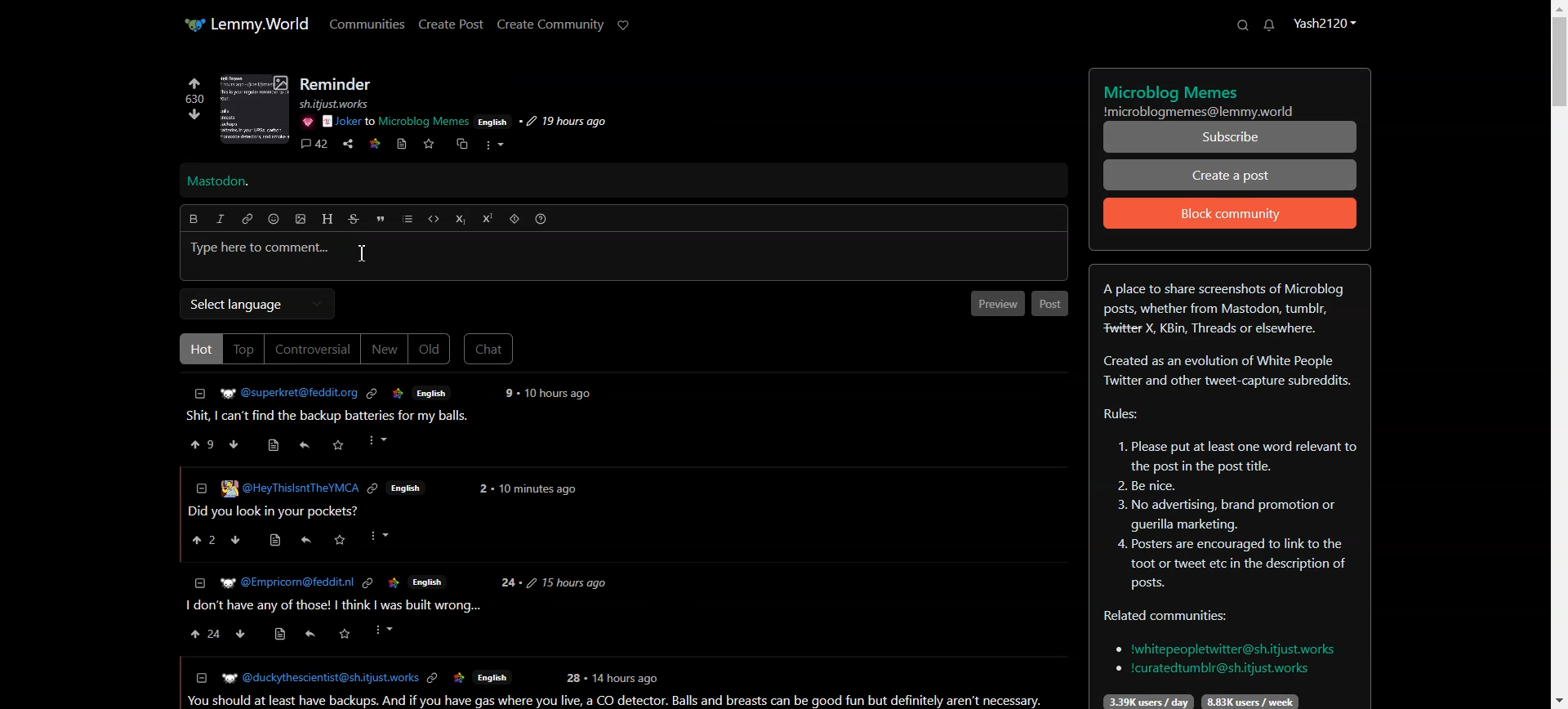 The width and height of the screenshot is (1568, 709). I want to click on Code, so click(434, 219).